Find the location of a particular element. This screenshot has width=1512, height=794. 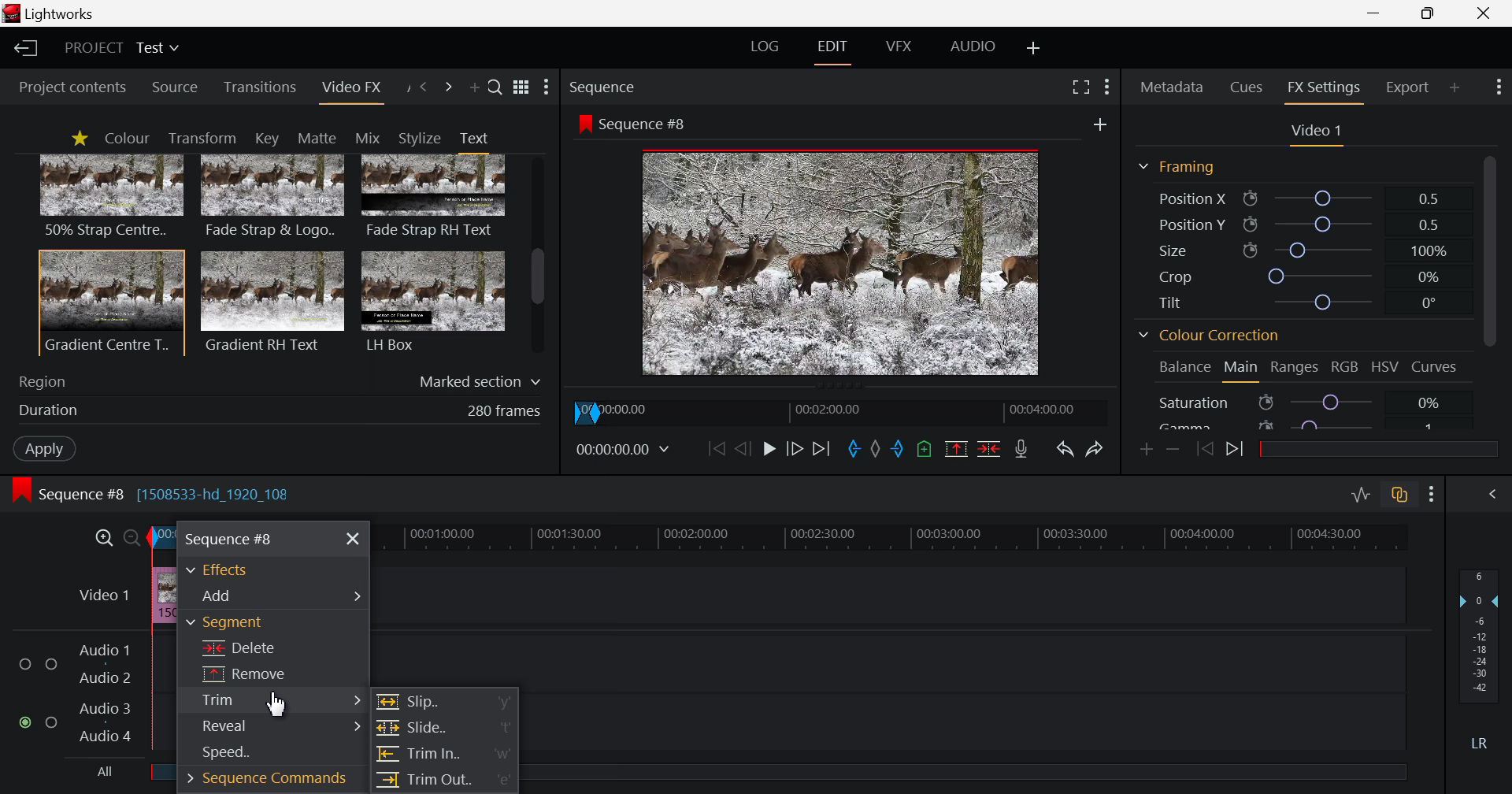

Add Panel is located at coordinates (1455, 85).